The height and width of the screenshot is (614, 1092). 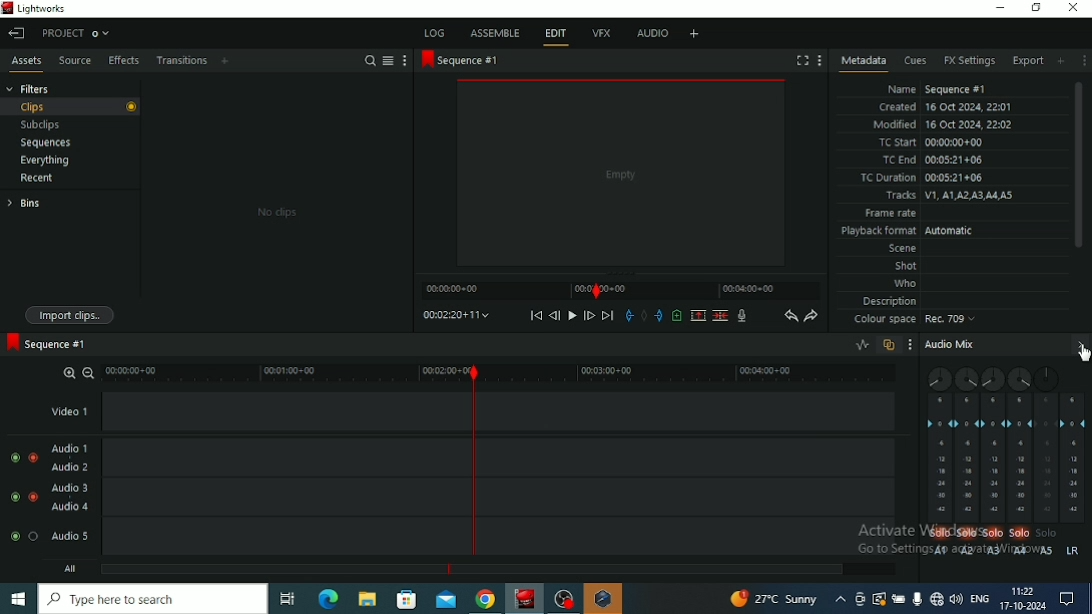 What do you see at coordinates (77, 34) in the screenshot?
I see `Show/change project details` at bounding box center [77, 34].